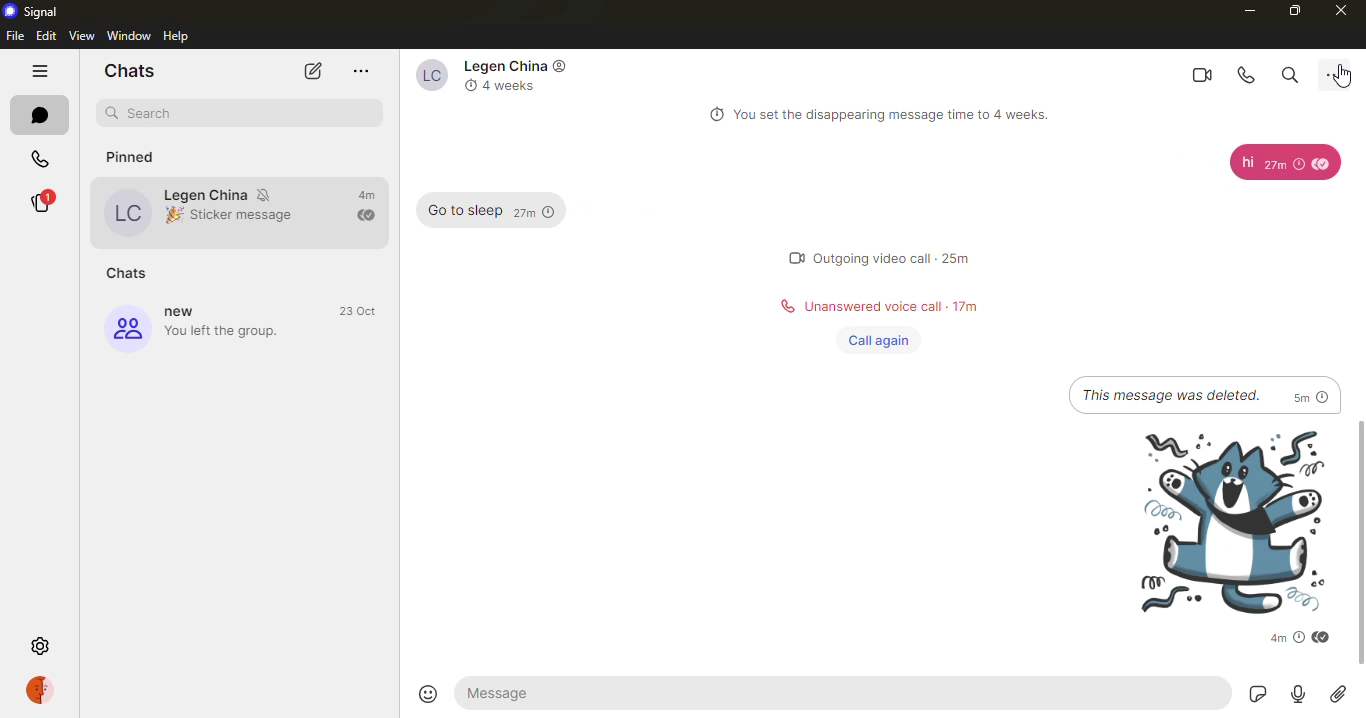 The width and height of the screenshot is (1366, 718). Describe the element at coordinates (1289, 72) in the screenshot. I see `search` at that location.